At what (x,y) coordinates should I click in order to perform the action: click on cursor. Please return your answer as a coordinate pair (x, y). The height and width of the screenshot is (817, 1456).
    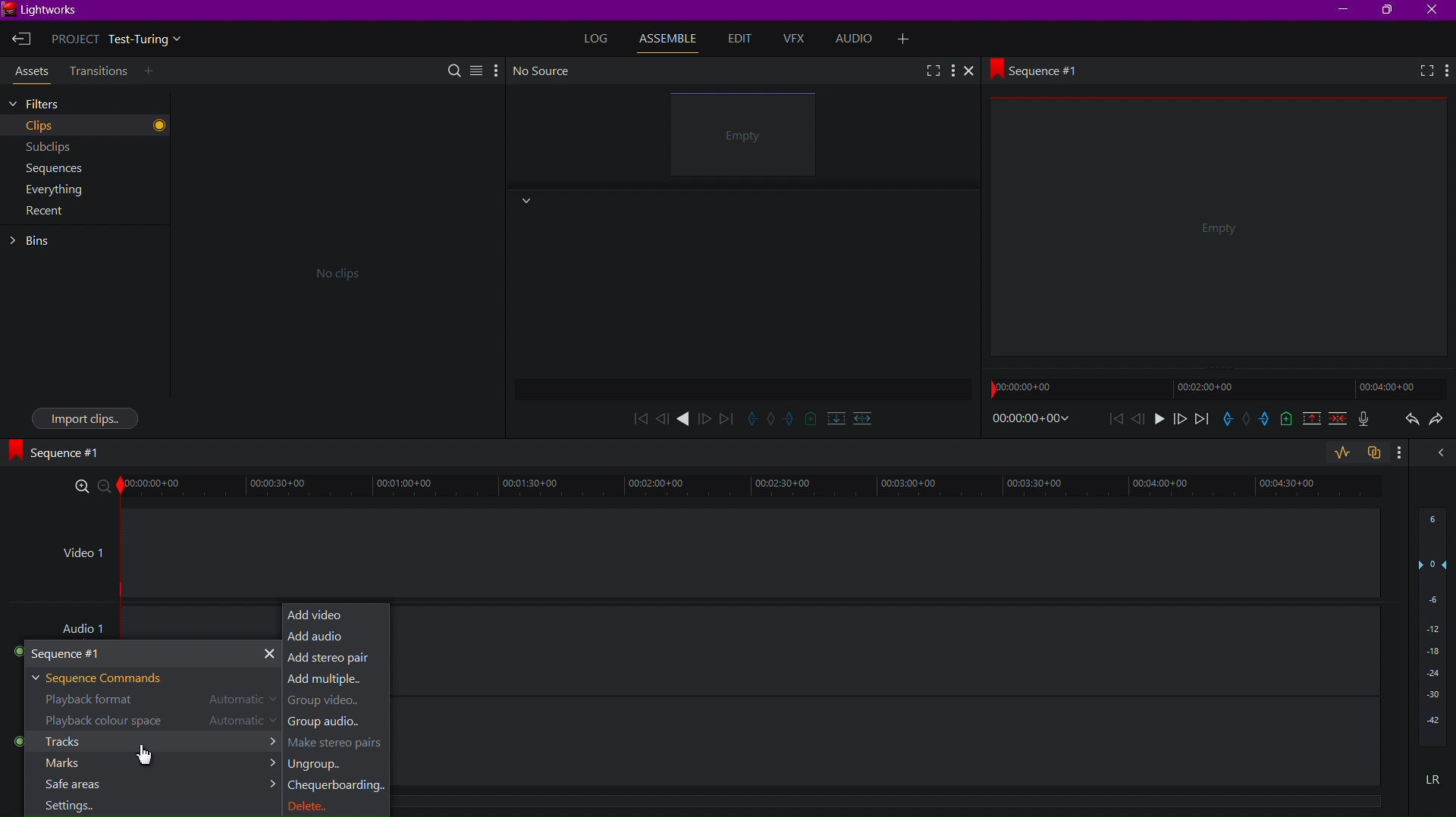
    Looking at the image, I should click on (141, 754).